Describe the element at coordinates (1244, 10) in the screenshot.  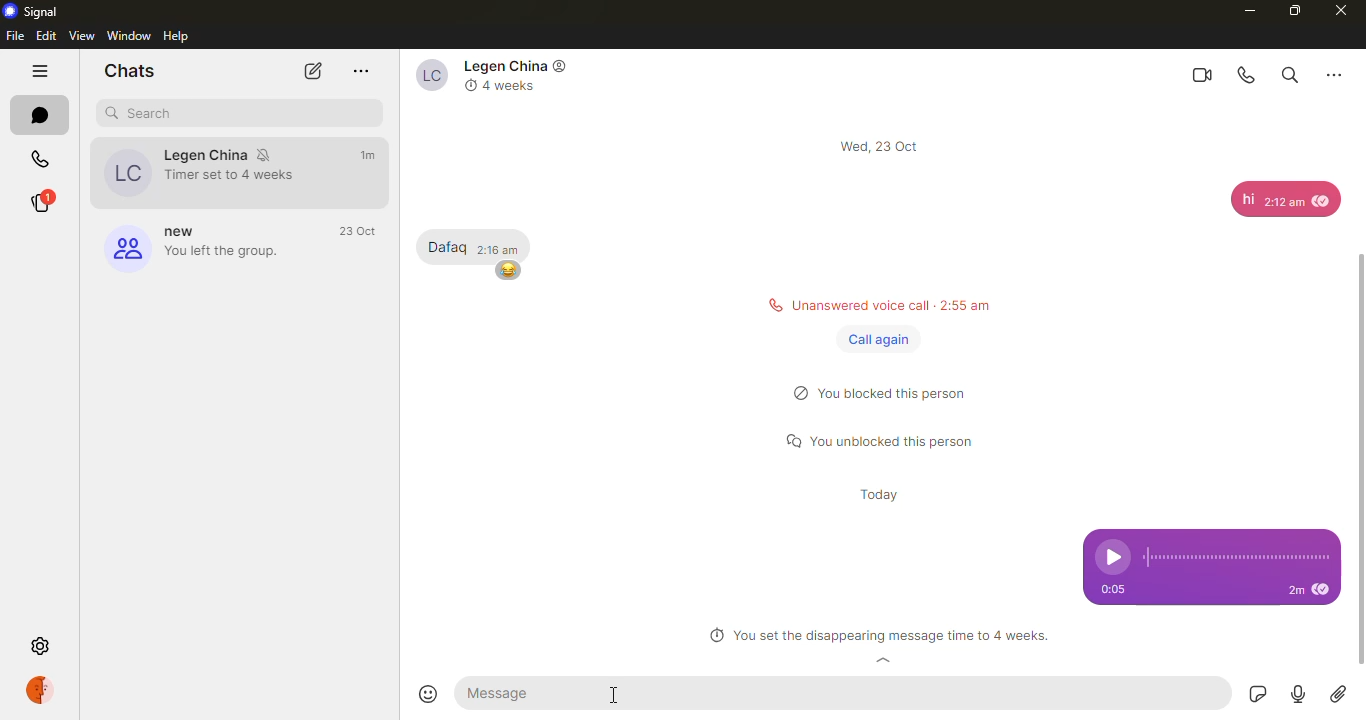
I see `minimize` at that location.